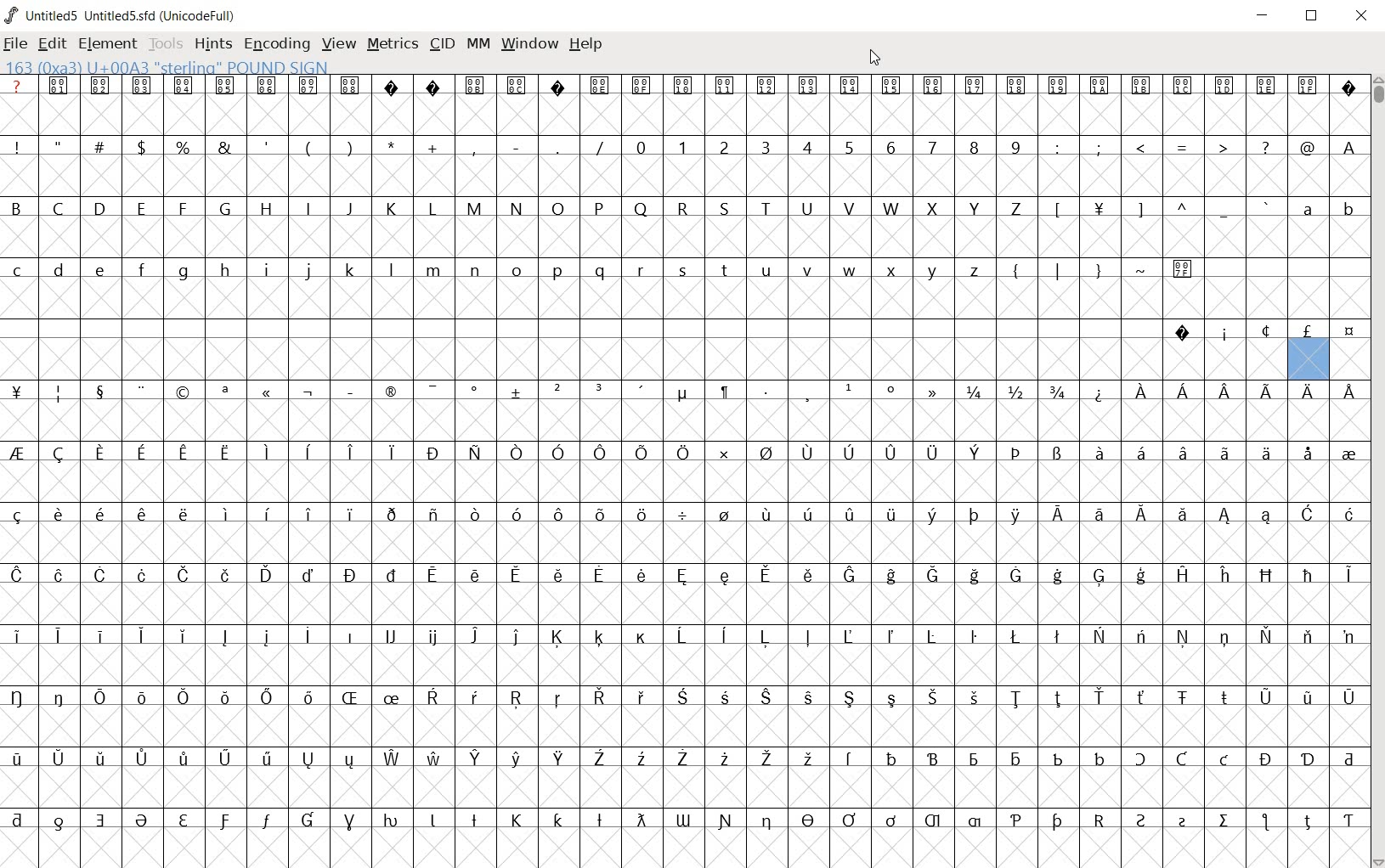 The height and width of the screenshot is (868, 1385). I want to click on Symbol, so click(808, 514).